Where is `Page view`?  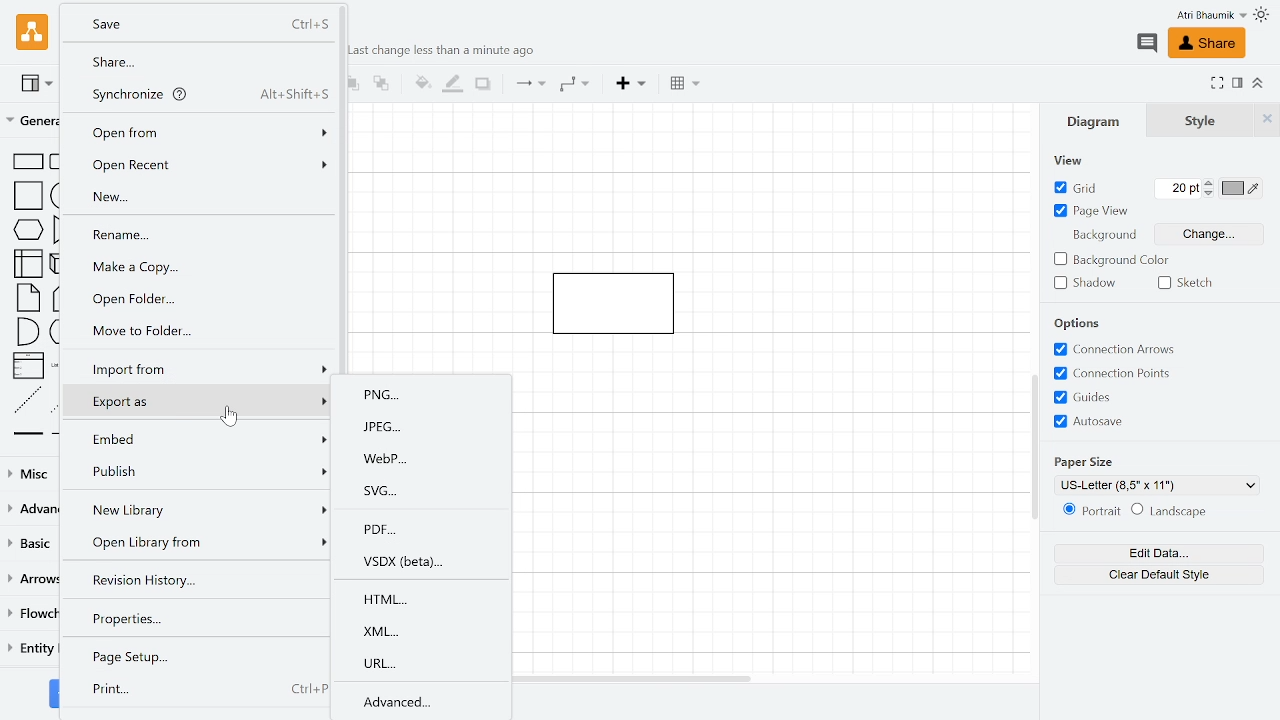
Page view is located at coordinates (1091, 211).